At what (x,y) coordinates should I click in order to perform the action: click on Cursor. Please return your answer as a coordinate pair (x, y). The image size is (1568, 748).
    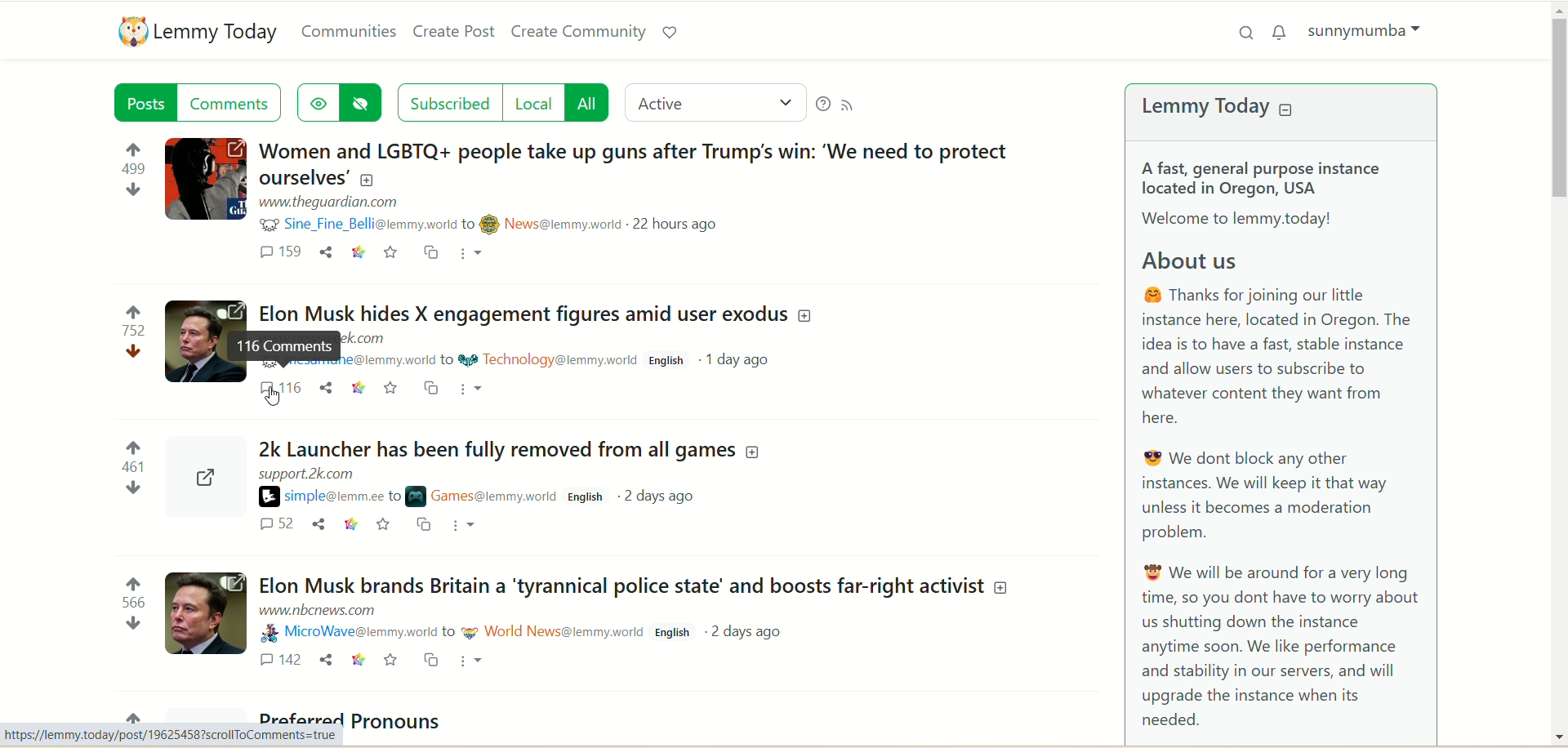
    Looking at the image, I should click on (276, 398).